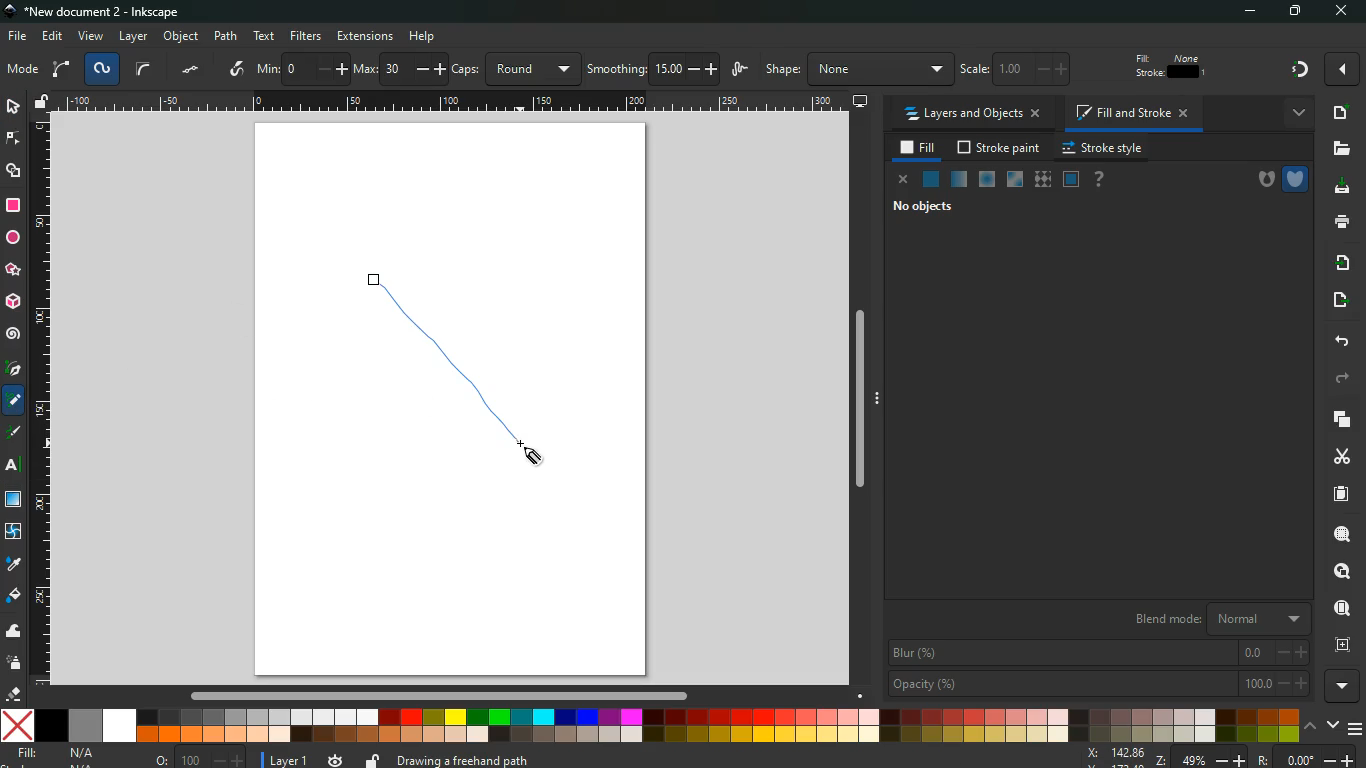 This screenshot has height=768, width=1366. I want to click on extensions, so click(365, 35).